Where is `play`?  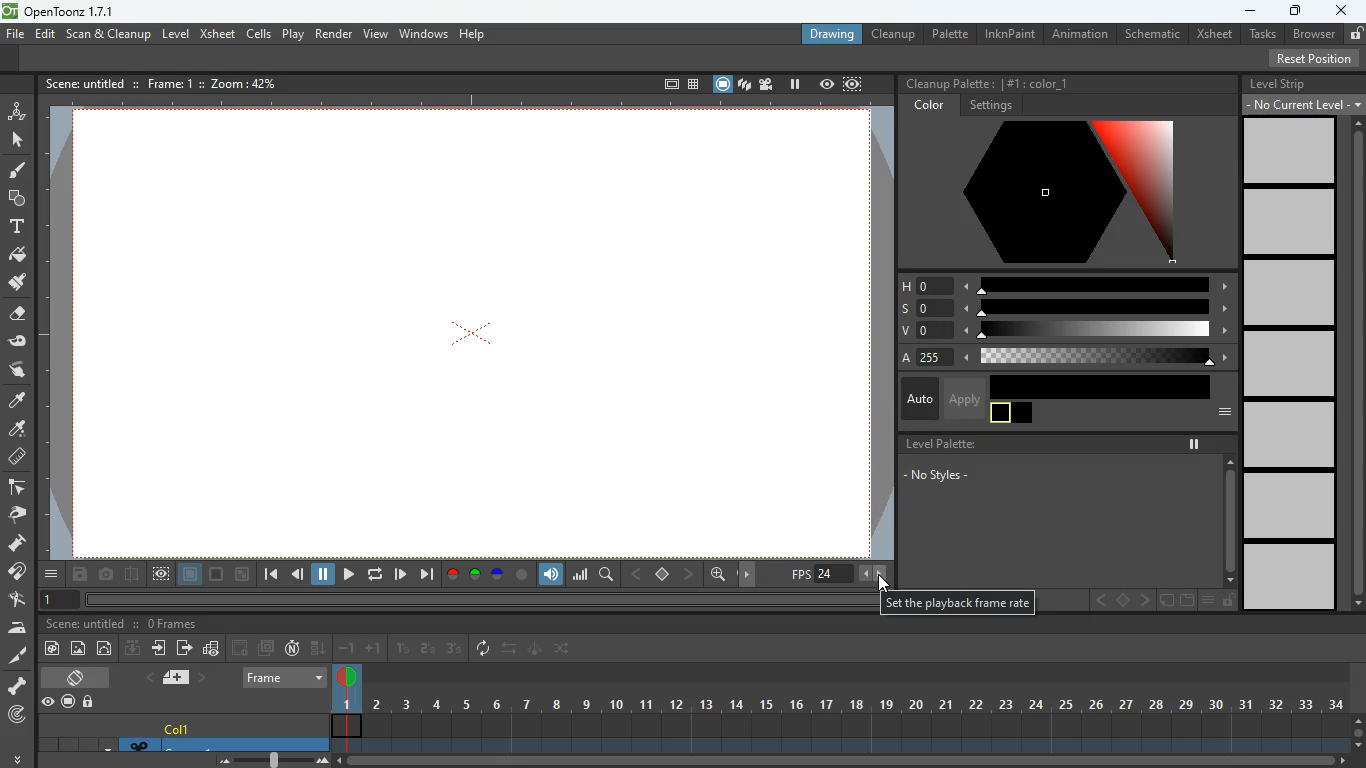
play is located at coordinates (292, 34).